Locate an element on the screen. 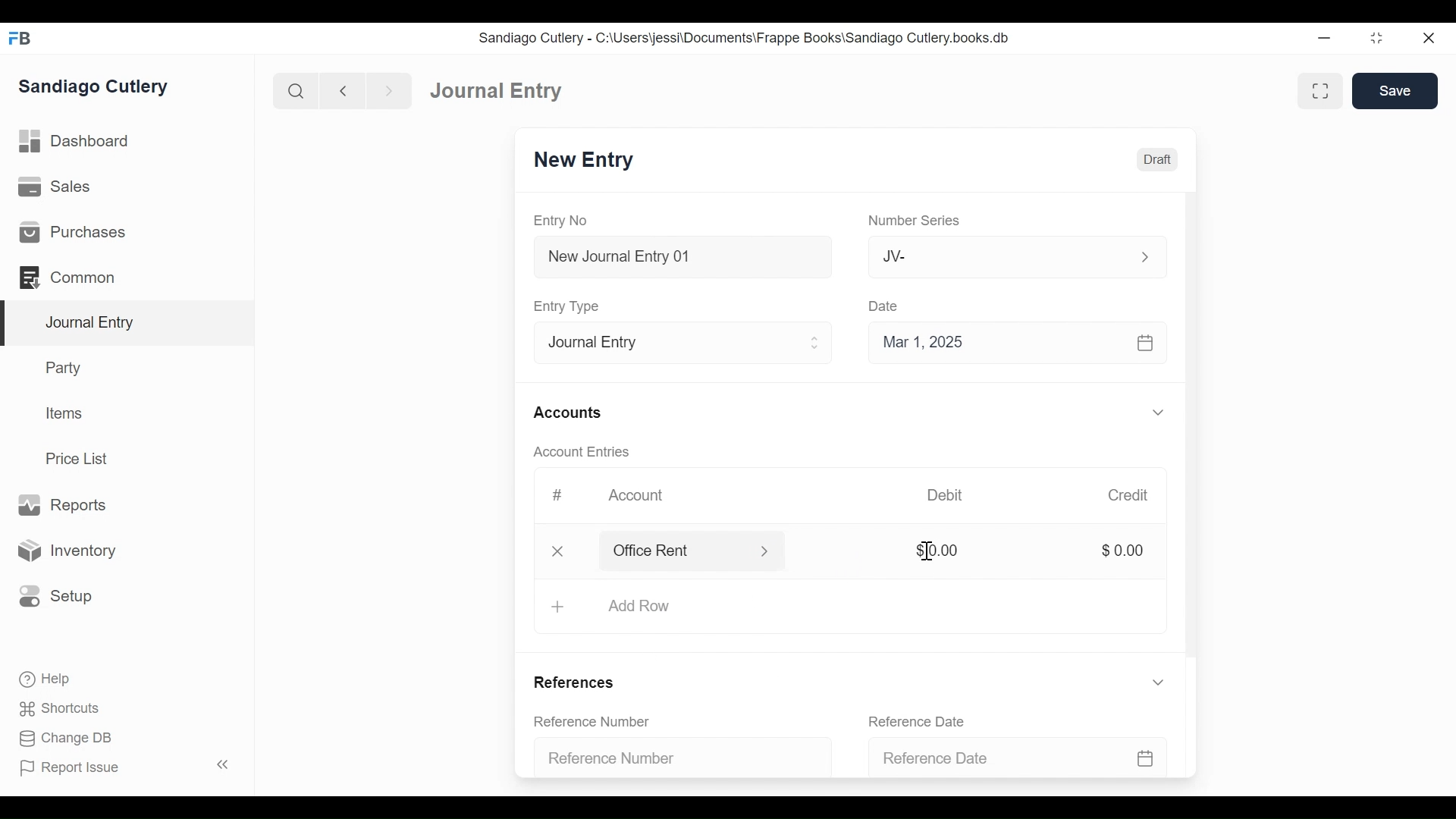 The image size is (1456, 819). Reference Number is located at coordinates (595, 720).